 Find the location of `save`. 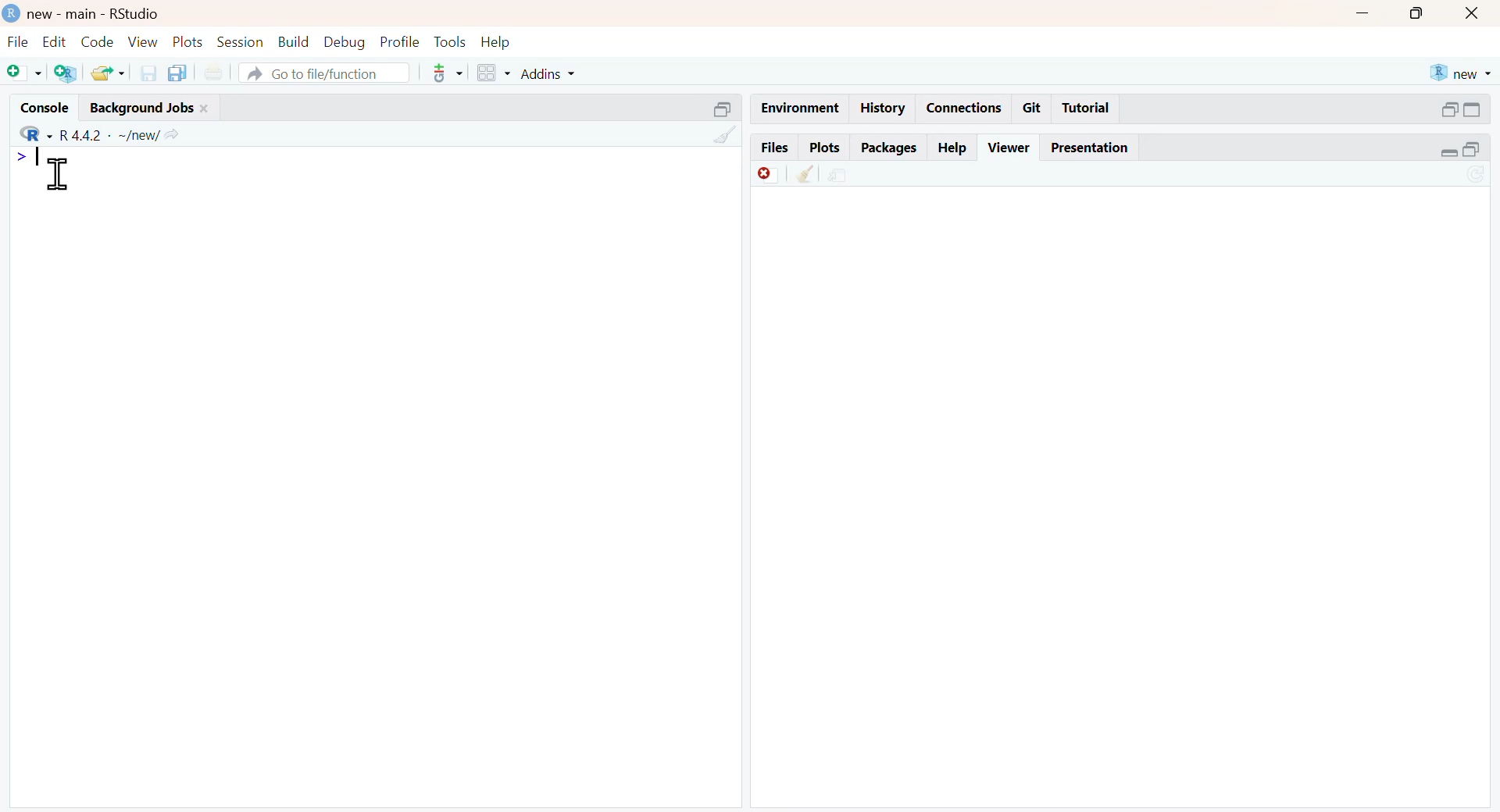

save is located at coordinates (149, 73).